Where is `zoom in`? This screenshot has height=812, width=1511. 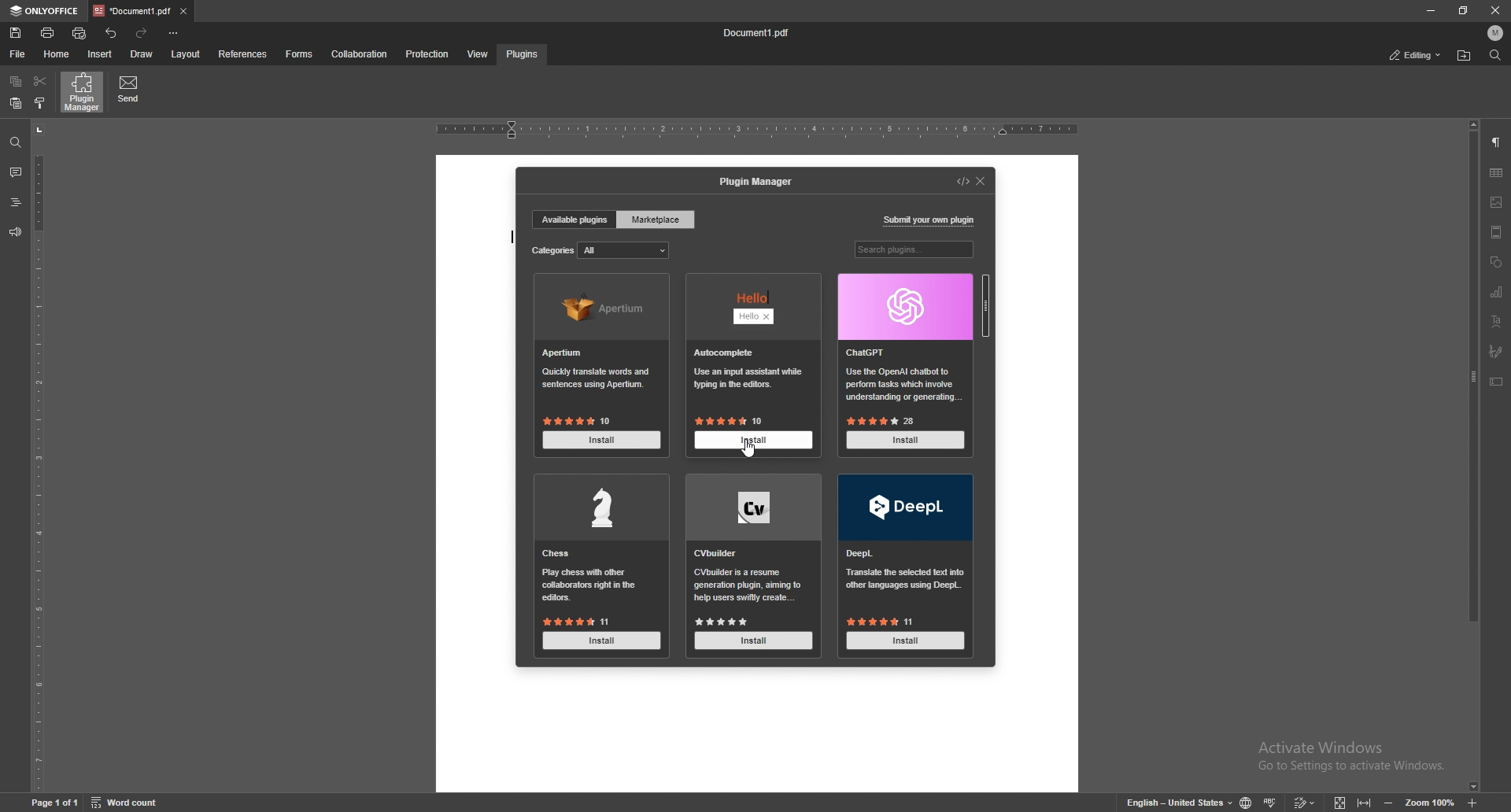 zoom in is located at coordinates (1472, 803).